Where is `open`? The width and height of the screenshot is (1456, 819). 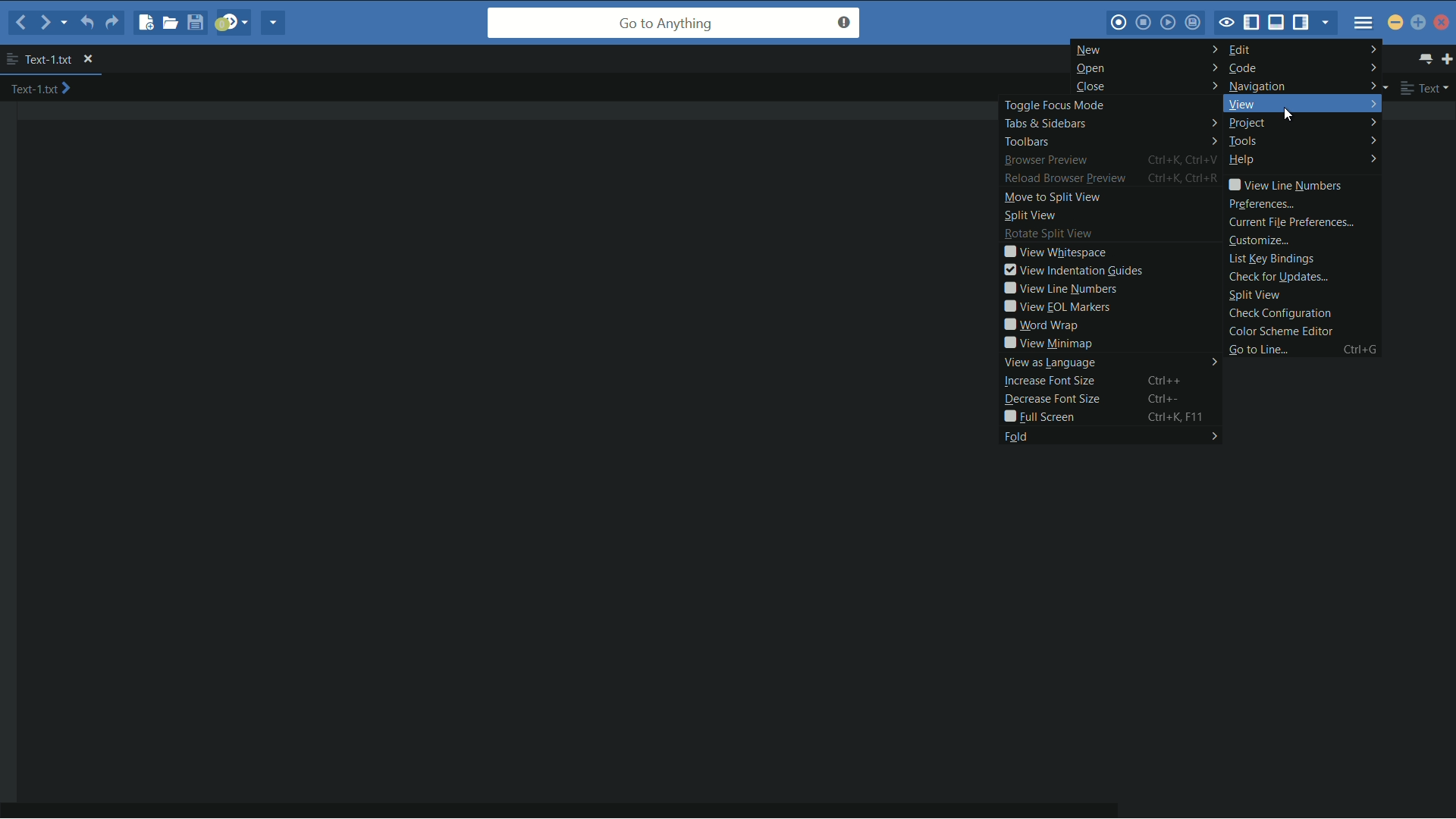
open is located at coordinates (1146, 68).